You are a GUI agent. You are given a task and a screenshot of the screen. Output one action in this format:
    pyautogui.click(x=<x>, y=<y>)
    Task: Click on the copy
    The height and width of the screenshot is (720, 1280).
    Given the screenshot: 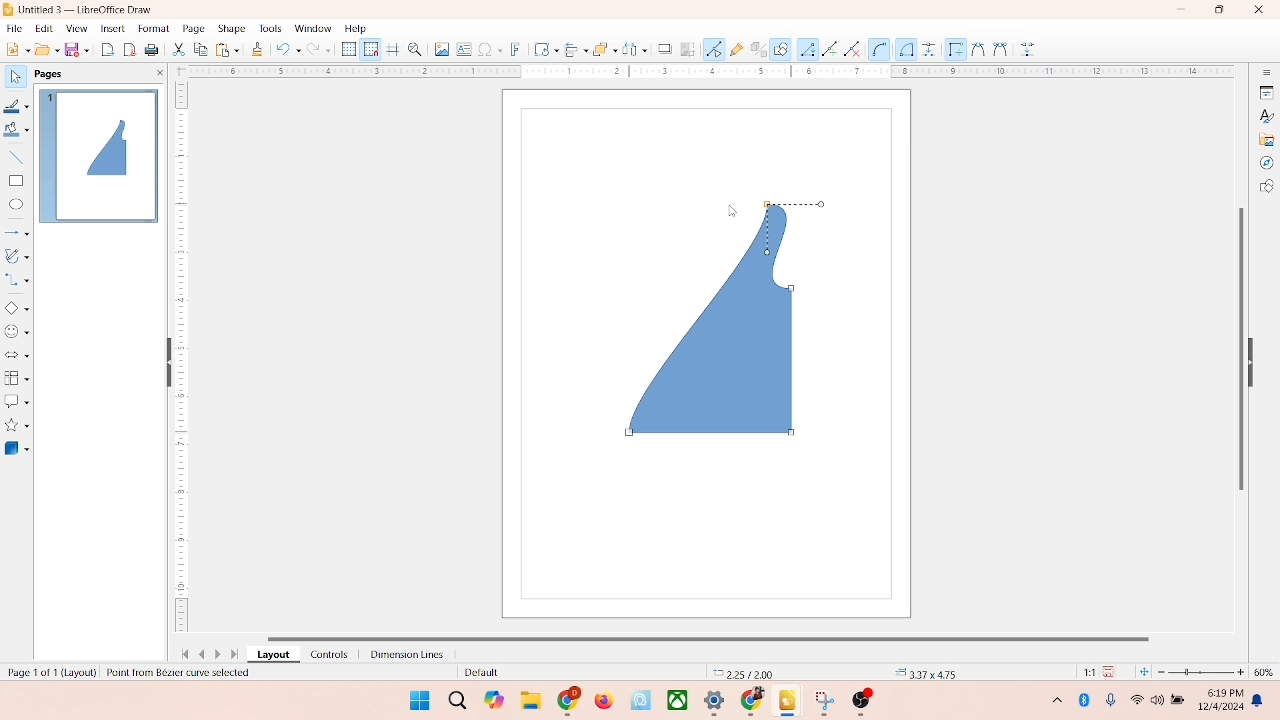 What is the action you would take?
    pyautogui.click(x=200, y=51)
    